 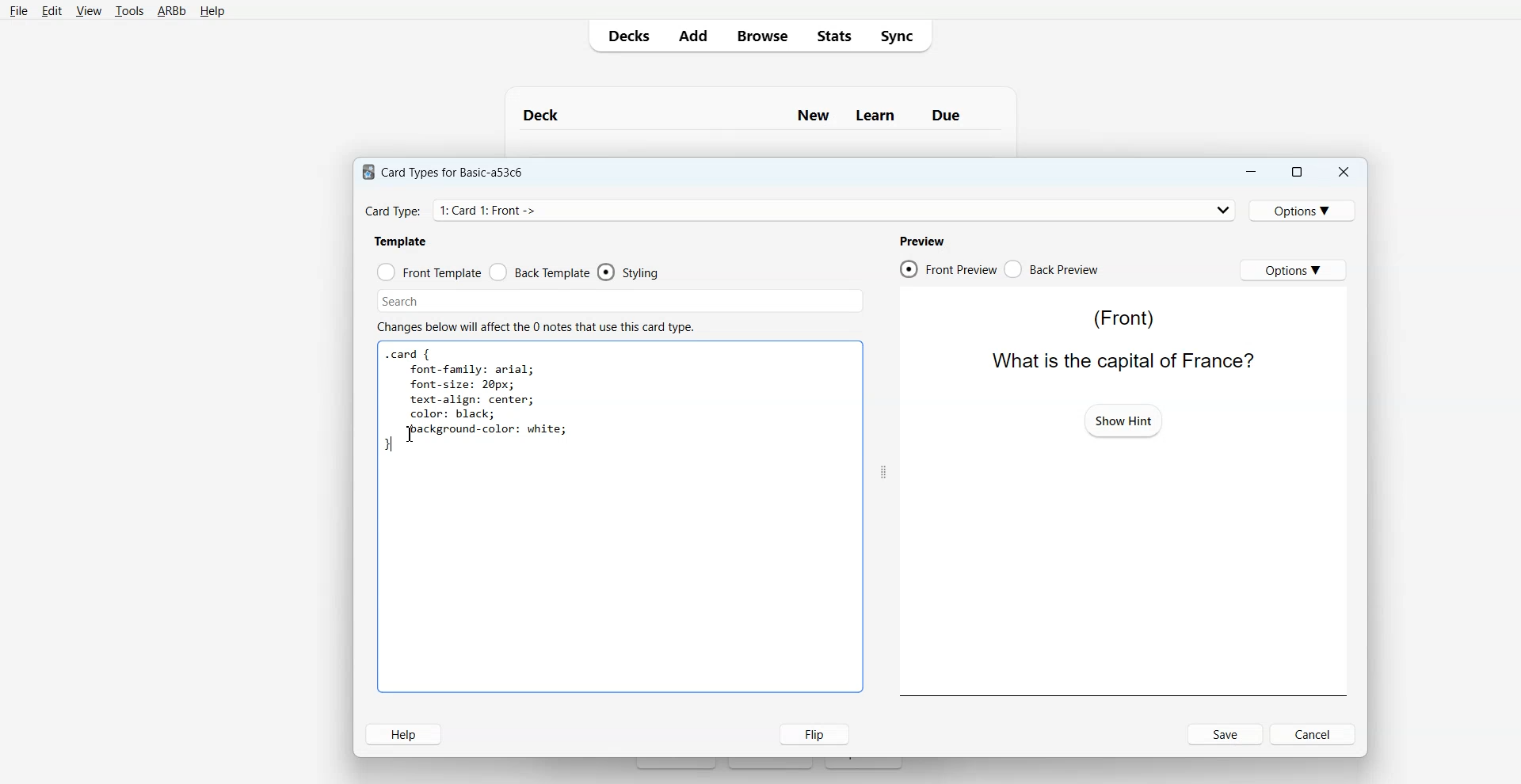 What do you see at coordinates (630, 272) in the screenshot?
I see `Styling` at bounding box center [630, 272].